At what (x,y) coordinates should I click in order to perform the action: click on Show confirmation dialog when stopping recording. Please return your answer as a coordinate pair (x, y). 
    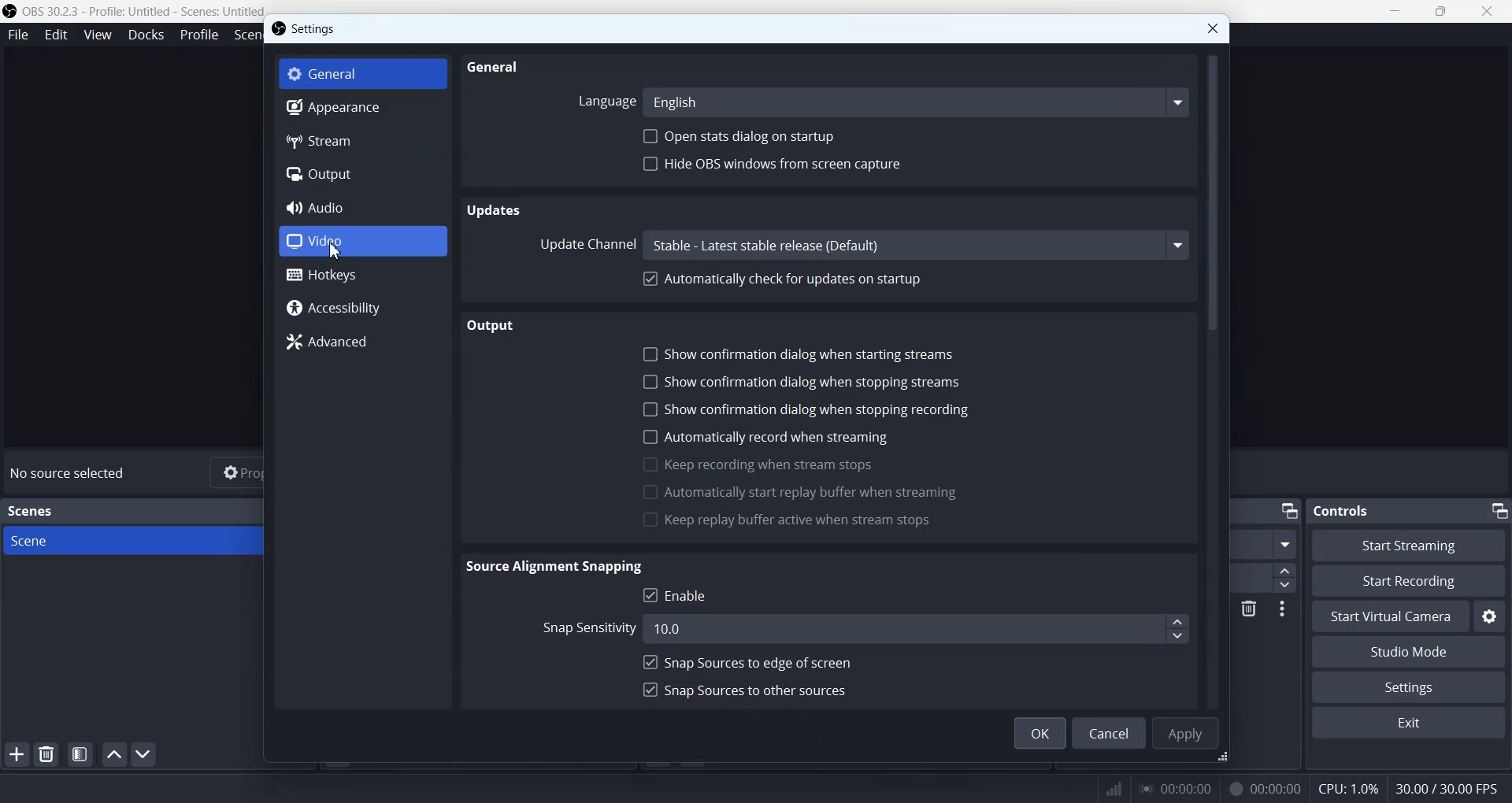
    Looking at the image, I should click on (805, 408).